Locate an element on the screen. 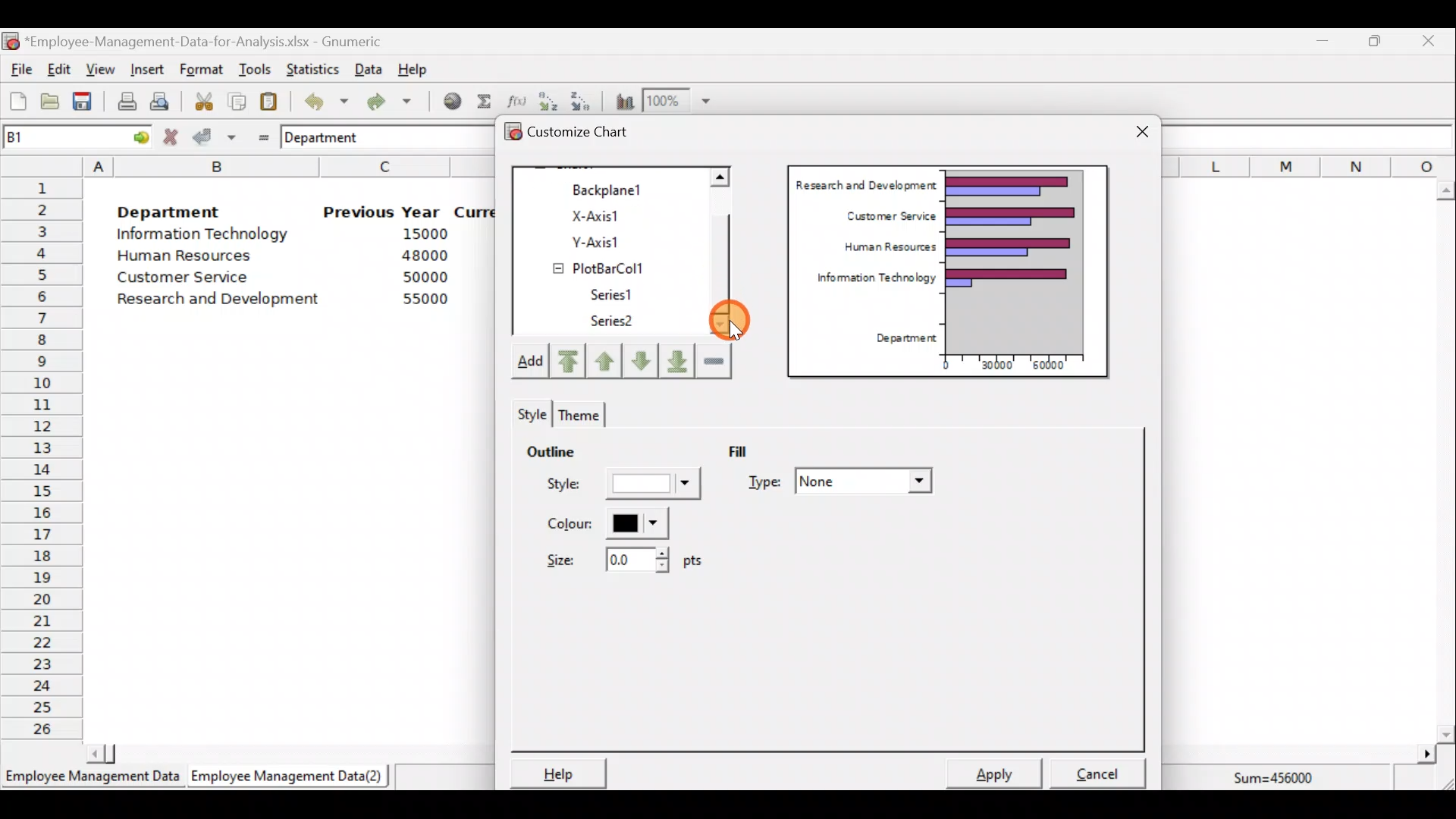 The height and width of the screenshot is (819, 1456). Insert a chart is located at coordinates (621, 101).